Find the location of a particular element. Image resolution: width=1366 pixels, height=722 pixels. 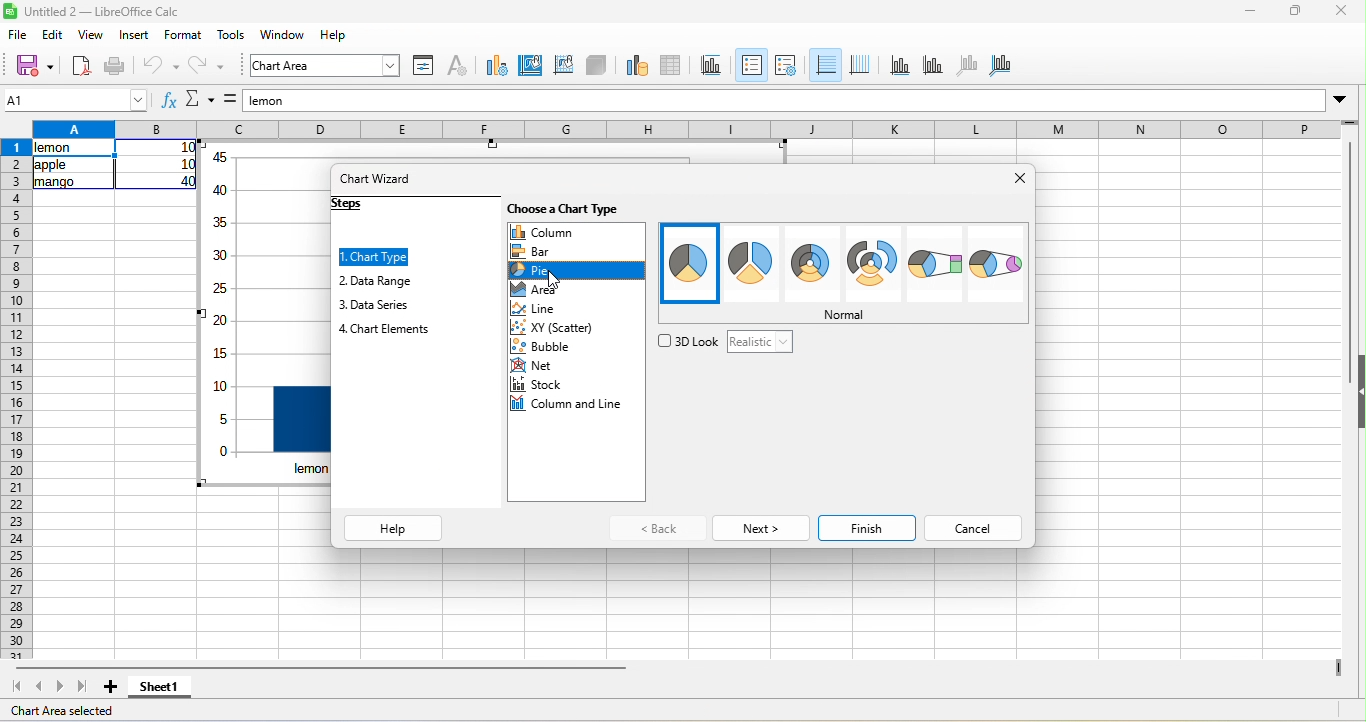

untitled 2- libre ofice calc is located at coordinates (109, 13).